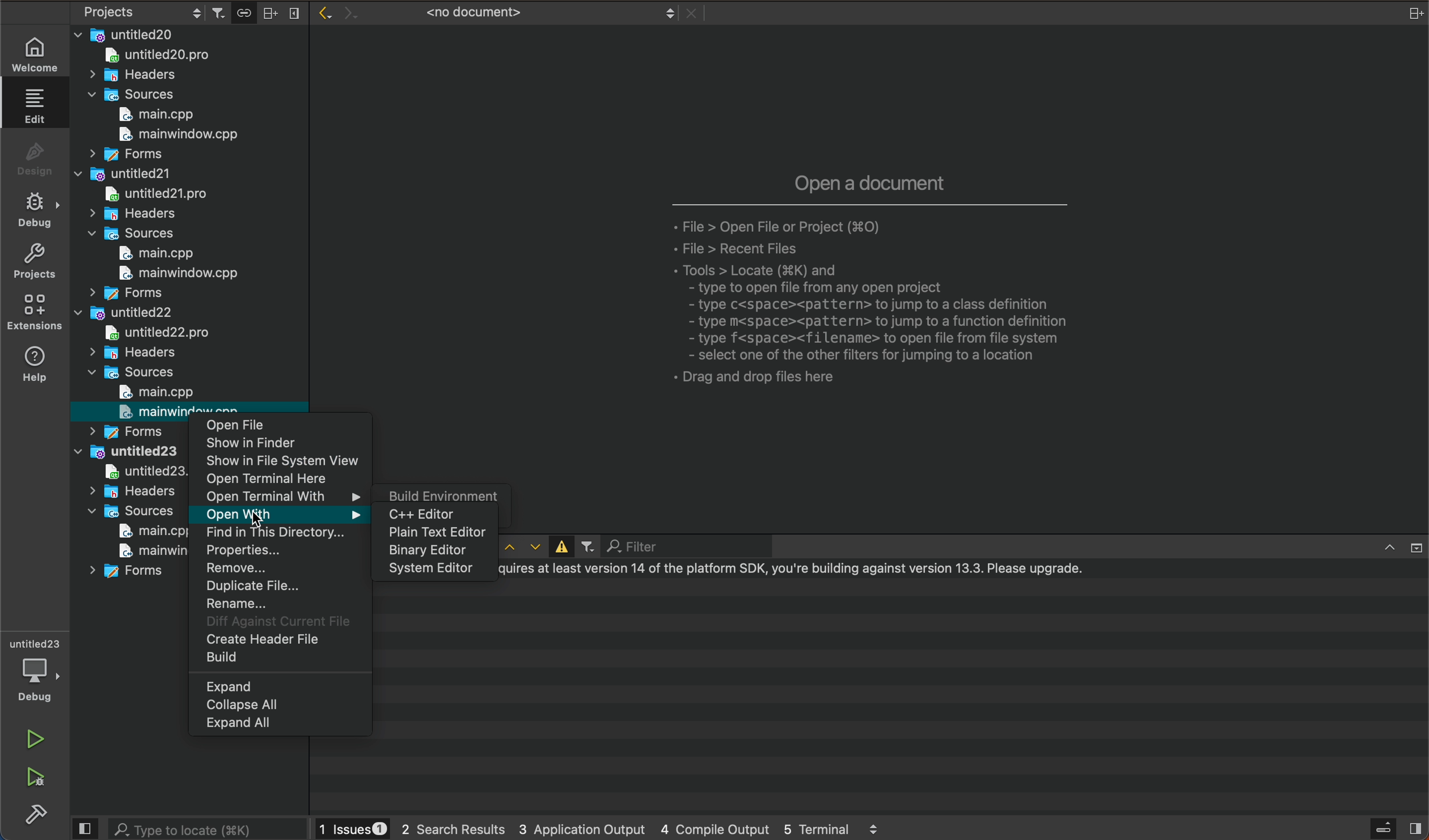  What do you see at coordinates (86, 829) in the screenshot?
I see `close slide bar` at bounding box center [86, 829].